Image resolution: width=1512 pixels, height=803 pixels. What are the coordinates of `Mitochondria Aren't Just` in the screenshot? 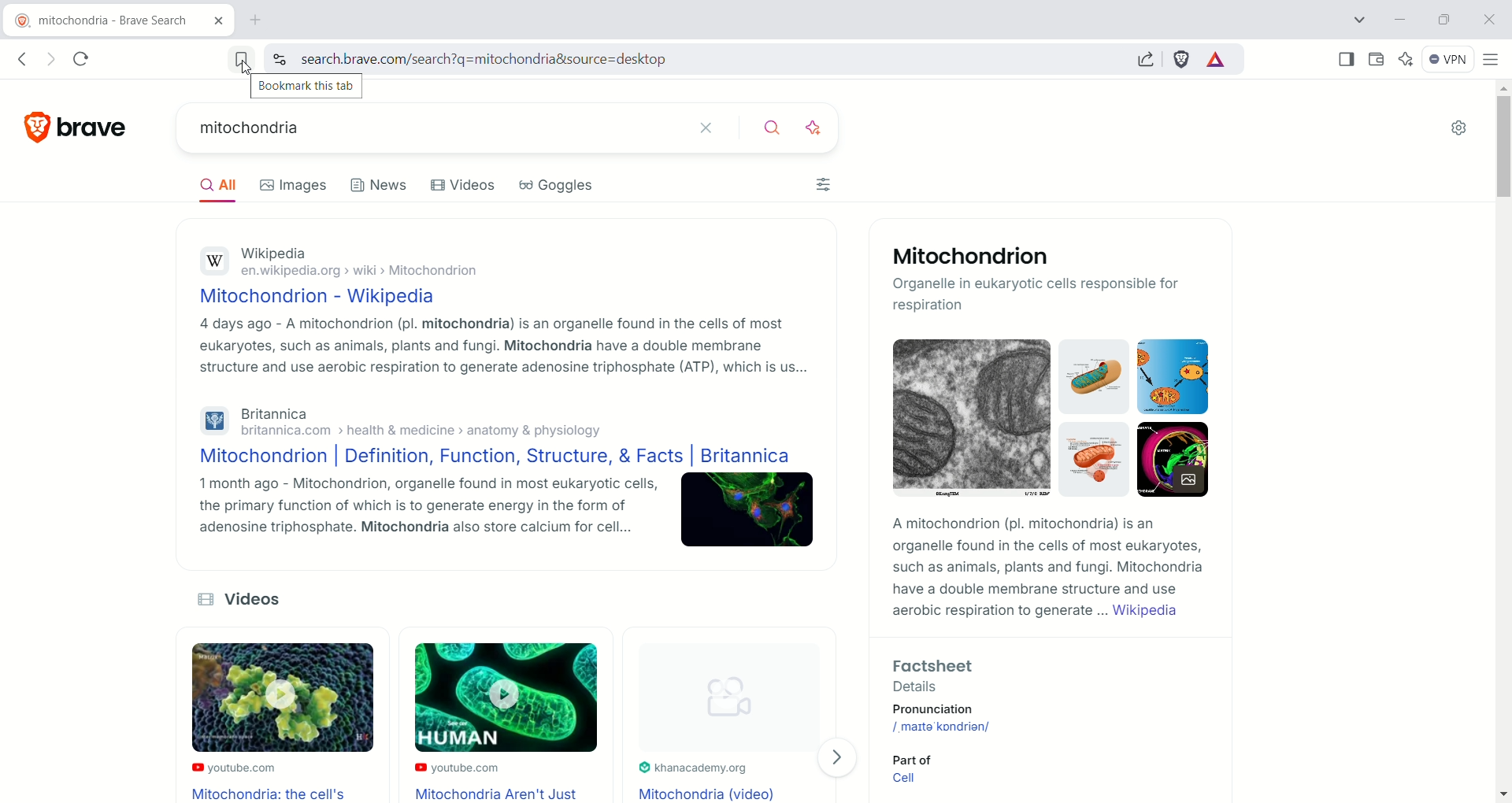 It's located at (503, 794).